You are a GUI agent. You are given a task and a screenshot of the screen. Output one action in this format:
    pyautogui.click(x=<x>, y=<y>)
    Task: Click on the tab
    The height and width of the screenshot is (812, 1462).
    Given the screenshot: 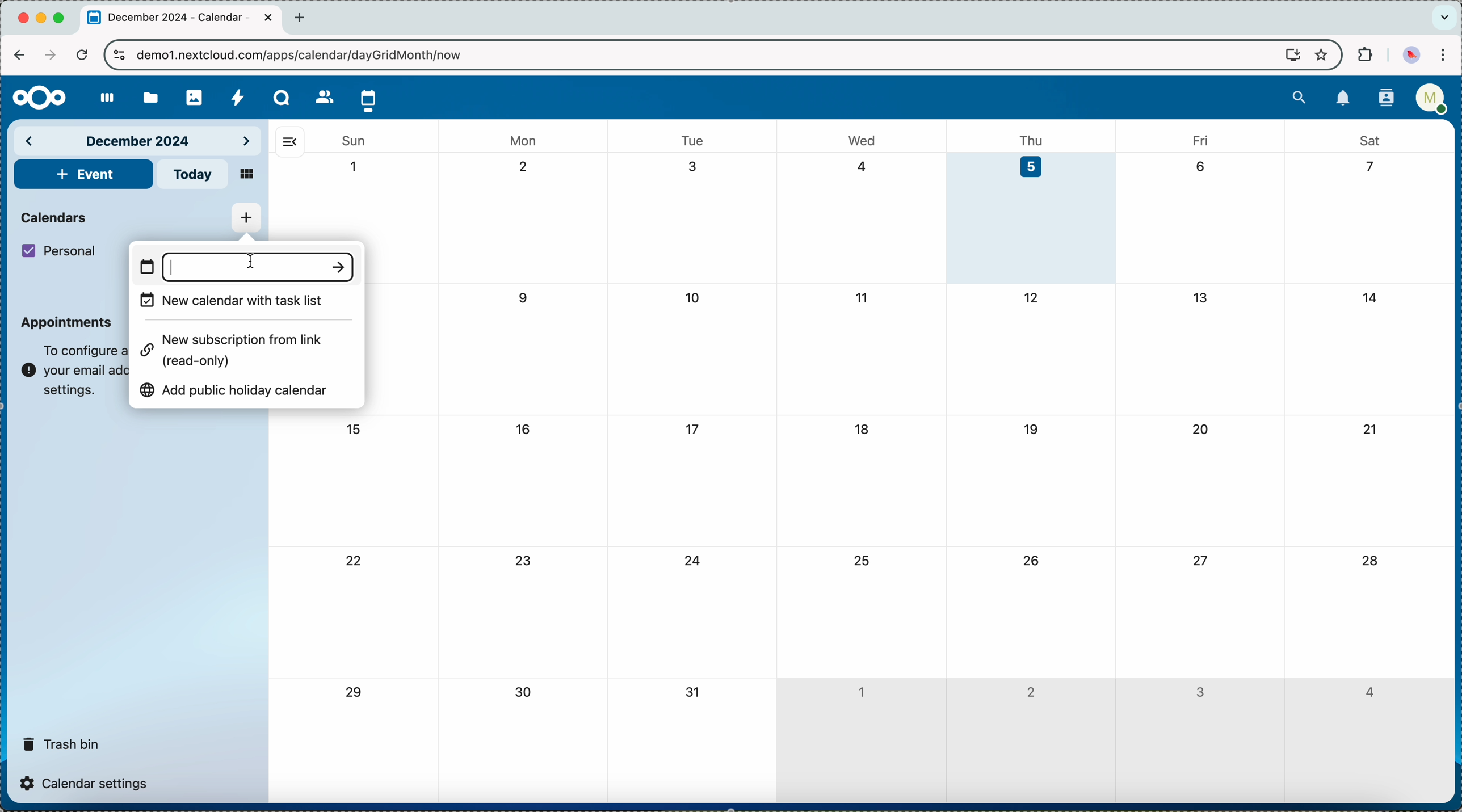 What is the action you would take?
    pyautogui.click(x=182, y=19)
    